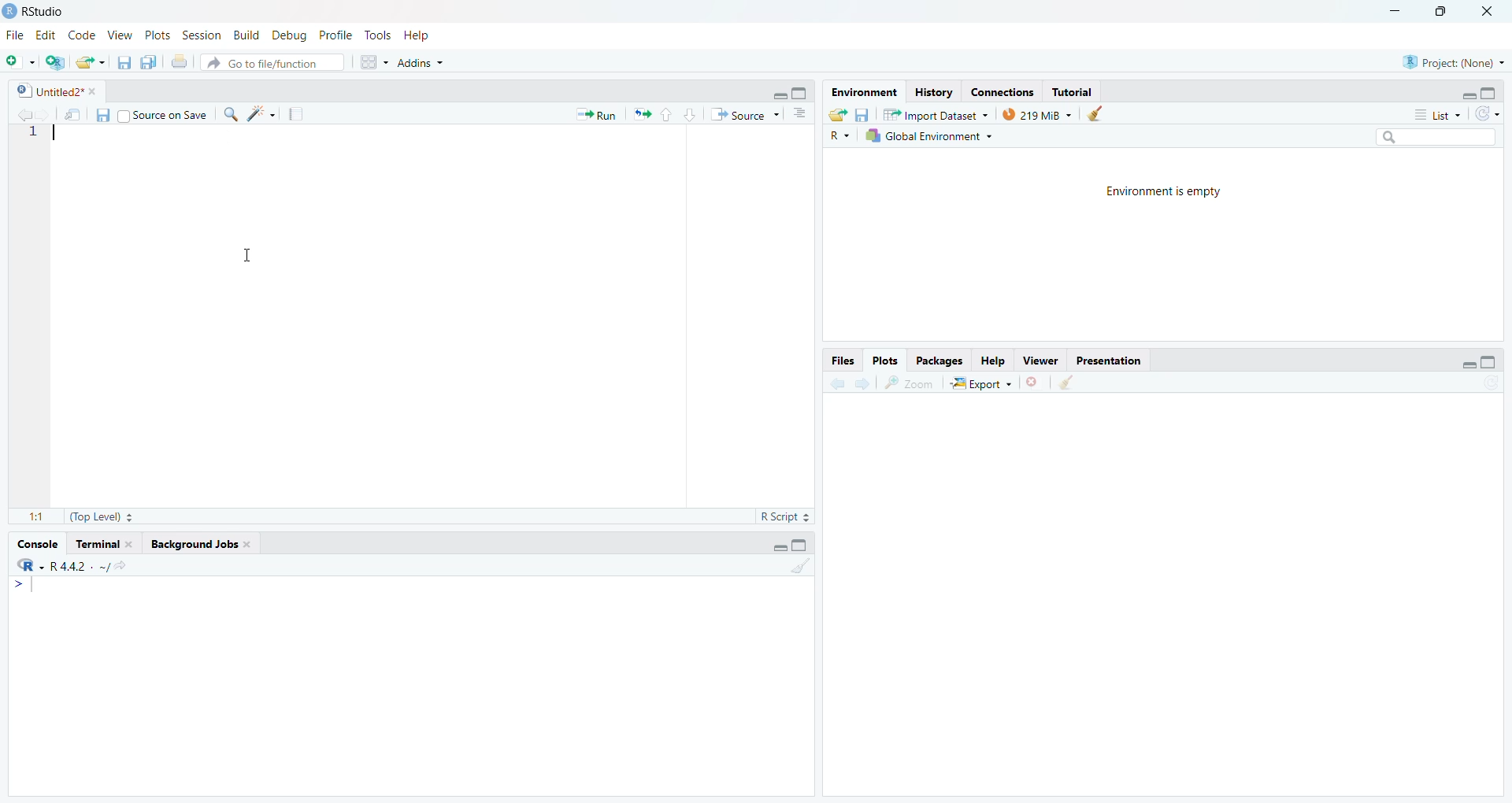 The image size is (1512, 803). What do you see at coordinates (1438, 114) in the screenshot?
I see `List` at bounding box center [1438, 114].